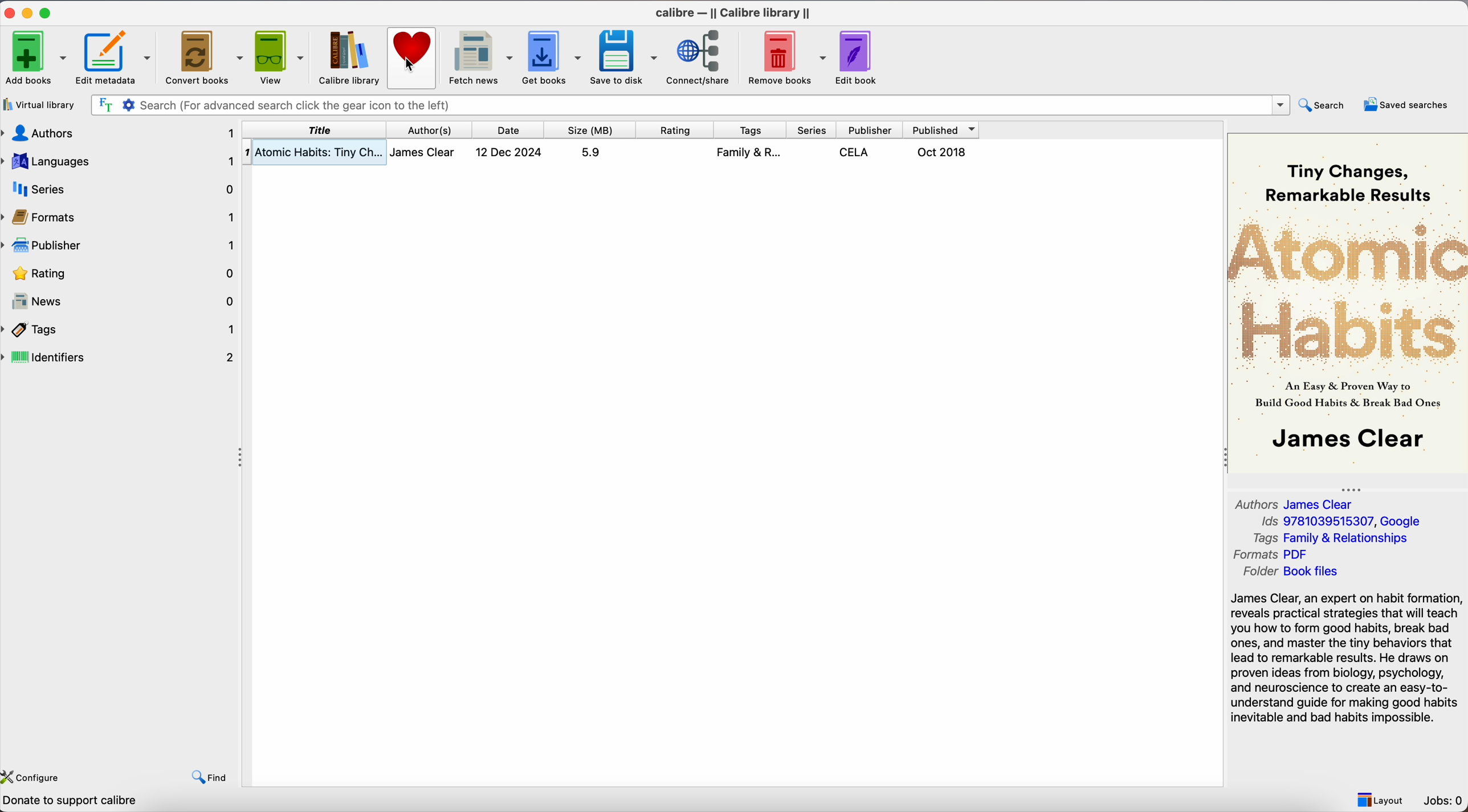 The height and width of the screenshot is (812, 1468). I want to click on convert books, so click(205, 58).